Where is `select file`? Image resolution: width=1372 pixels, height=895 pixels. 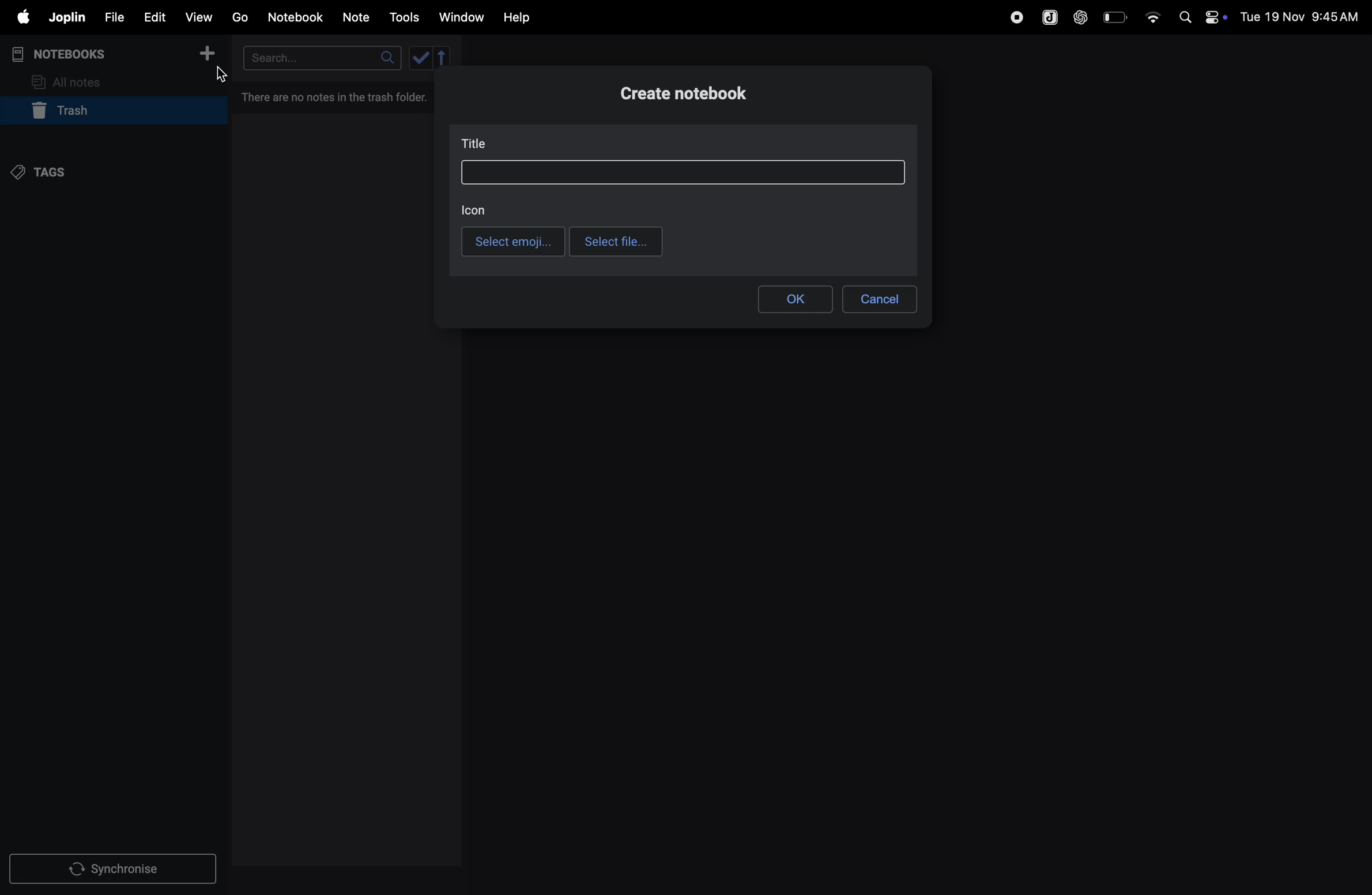 select file is located at coordinates (617, 241).